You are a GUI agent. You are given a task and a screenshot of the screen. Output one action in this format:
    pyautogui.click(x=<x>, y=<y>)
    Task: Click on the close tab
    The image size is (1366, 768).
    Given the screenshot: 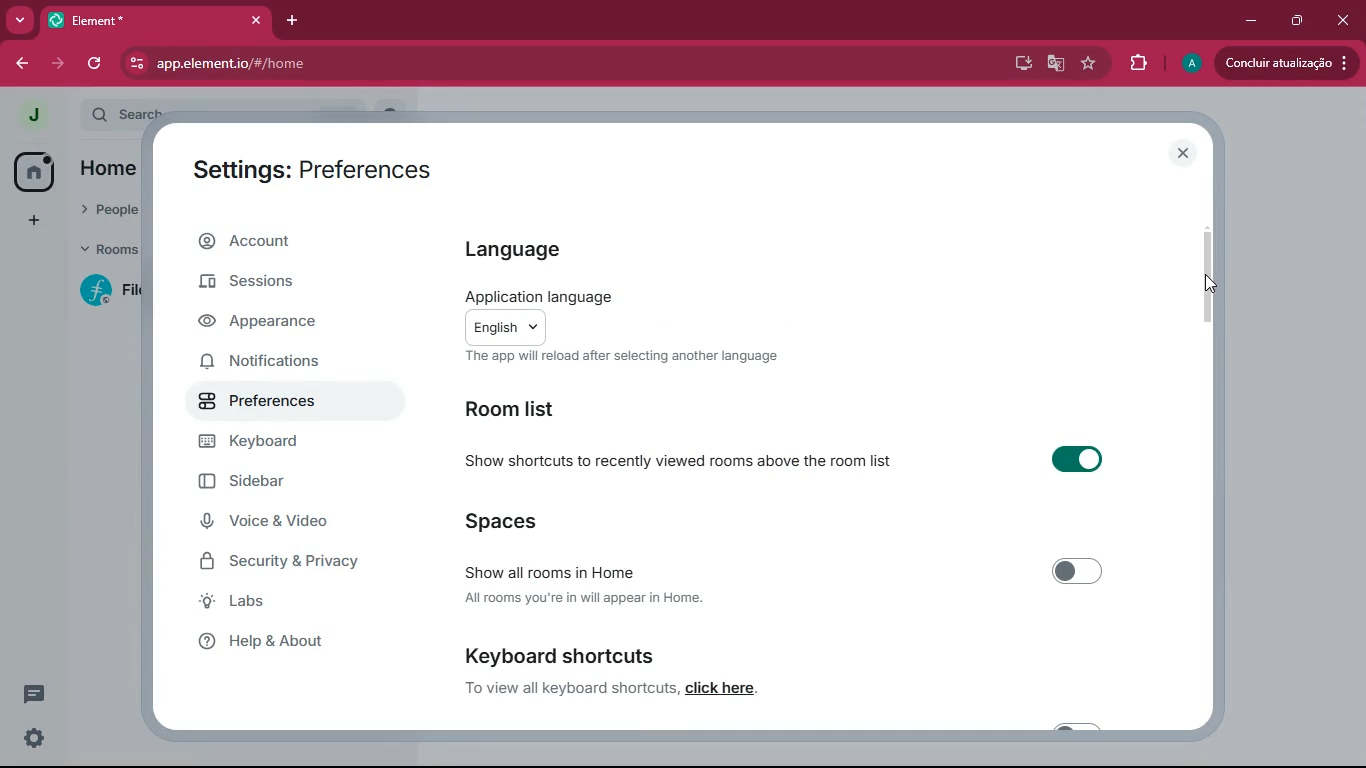 What is the action you would take?
    pyautogui.click(x=258, y=21)
    